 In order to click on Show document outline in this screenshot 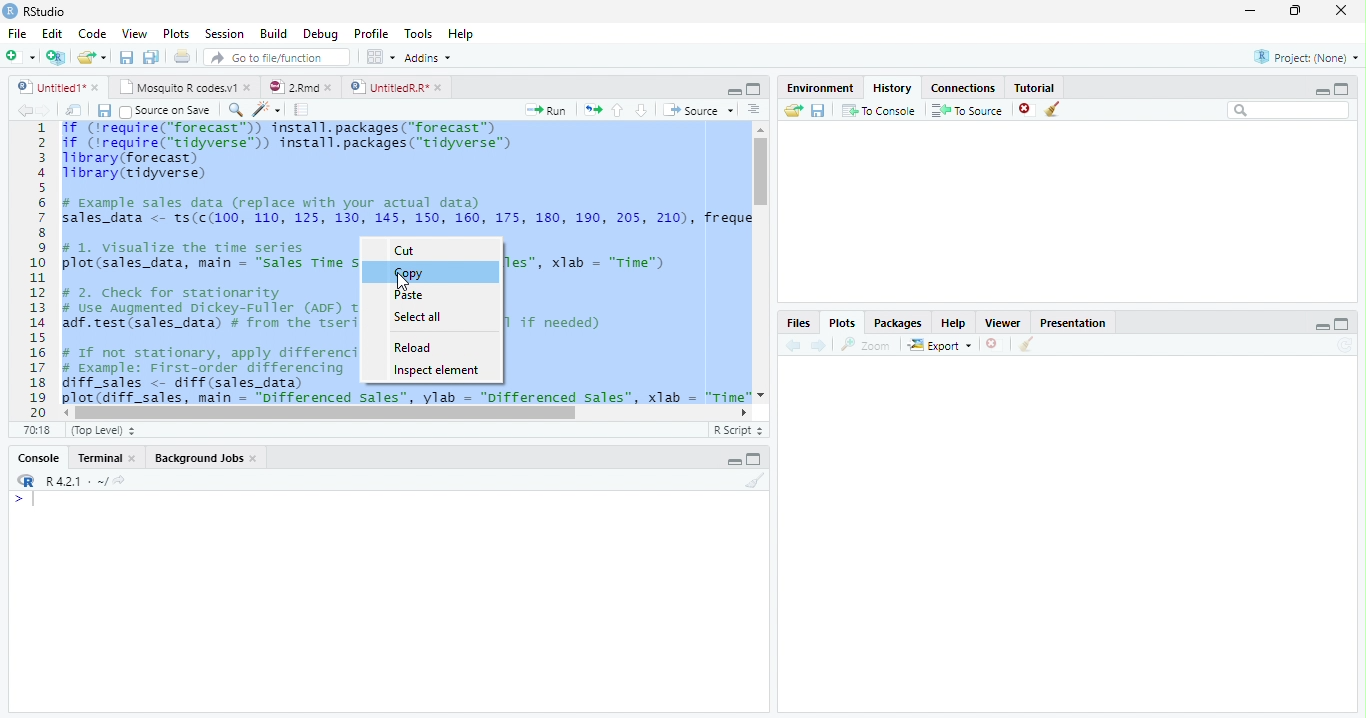, I will do `click(754, 111)`.